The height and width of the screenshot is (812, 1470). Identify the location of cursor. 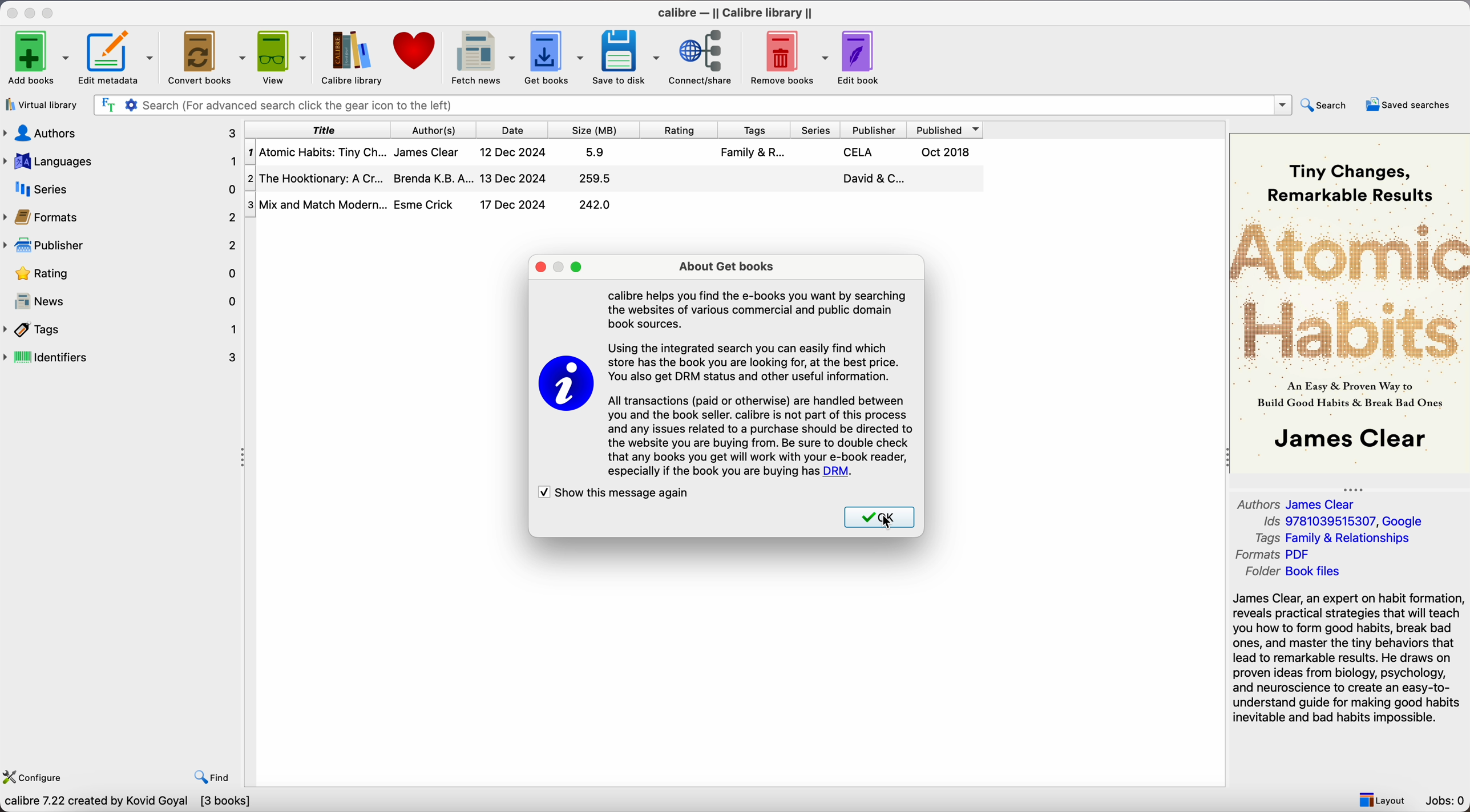
(886, 522).